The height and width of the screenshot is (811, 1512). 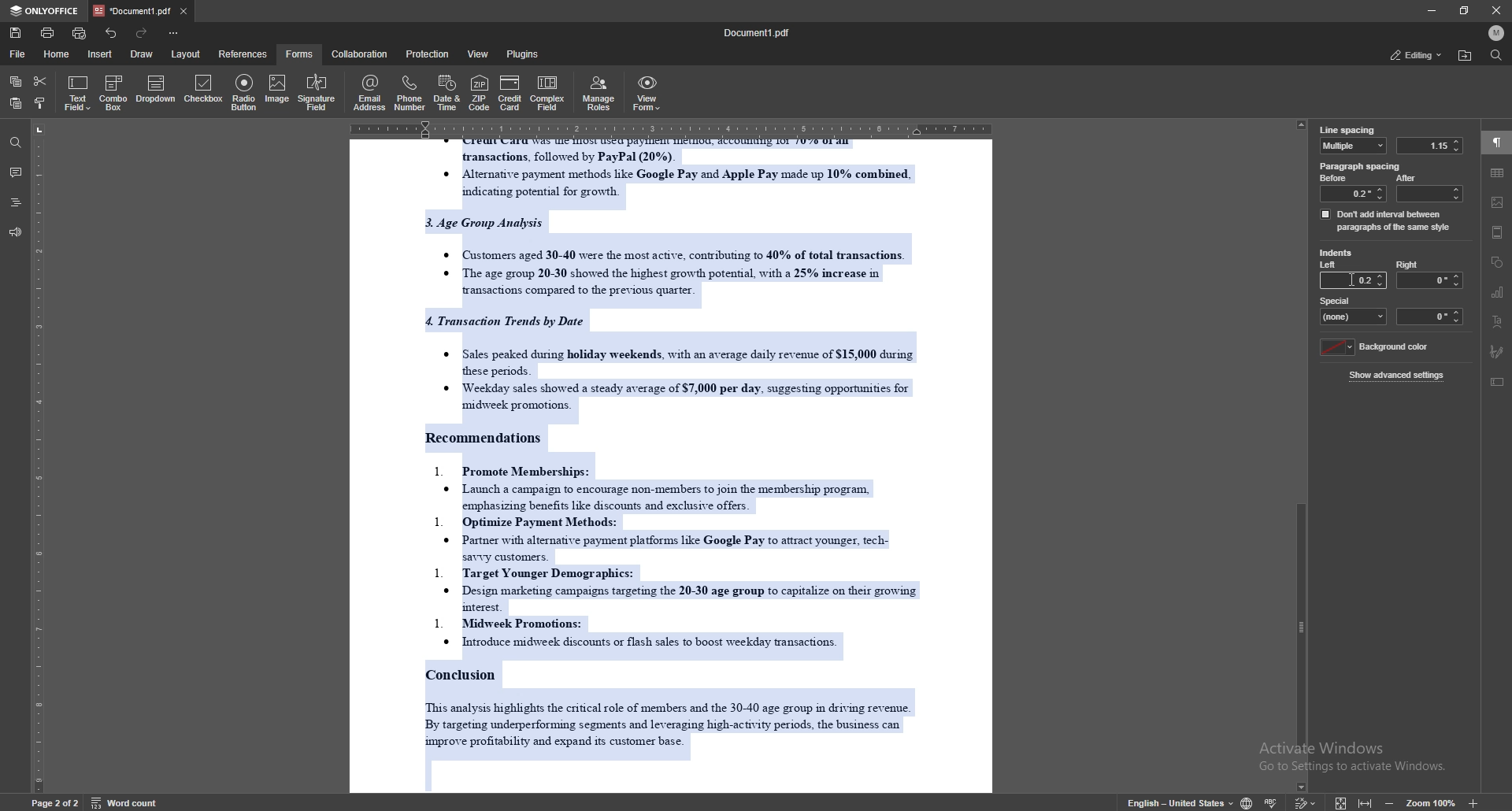 I want to click on file, so click(x=18, y=54).